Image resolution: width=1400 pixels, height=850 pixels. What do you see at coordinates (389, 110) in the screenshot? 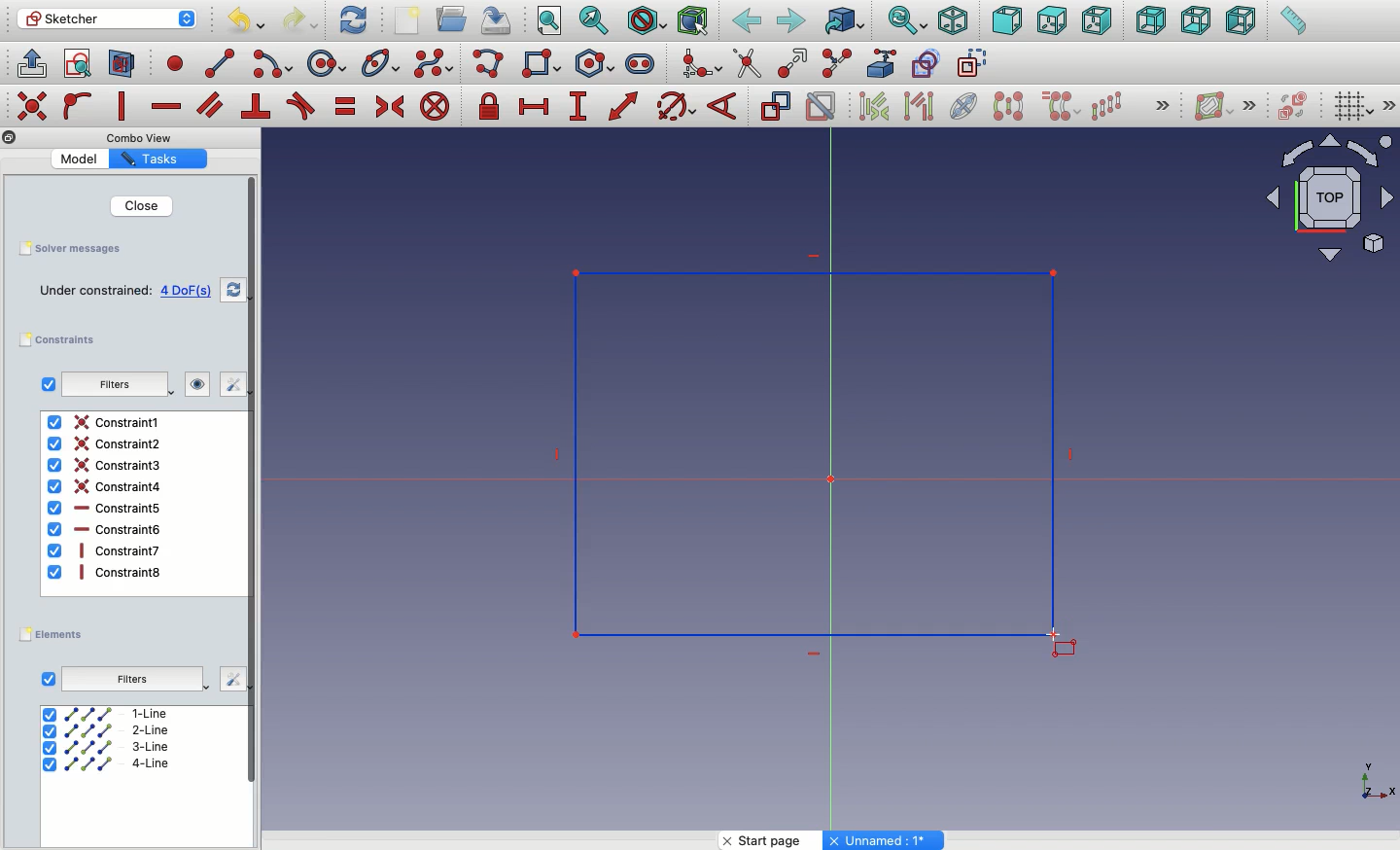
I see `constrain symmetrical ` at bounding box center [389, 110].